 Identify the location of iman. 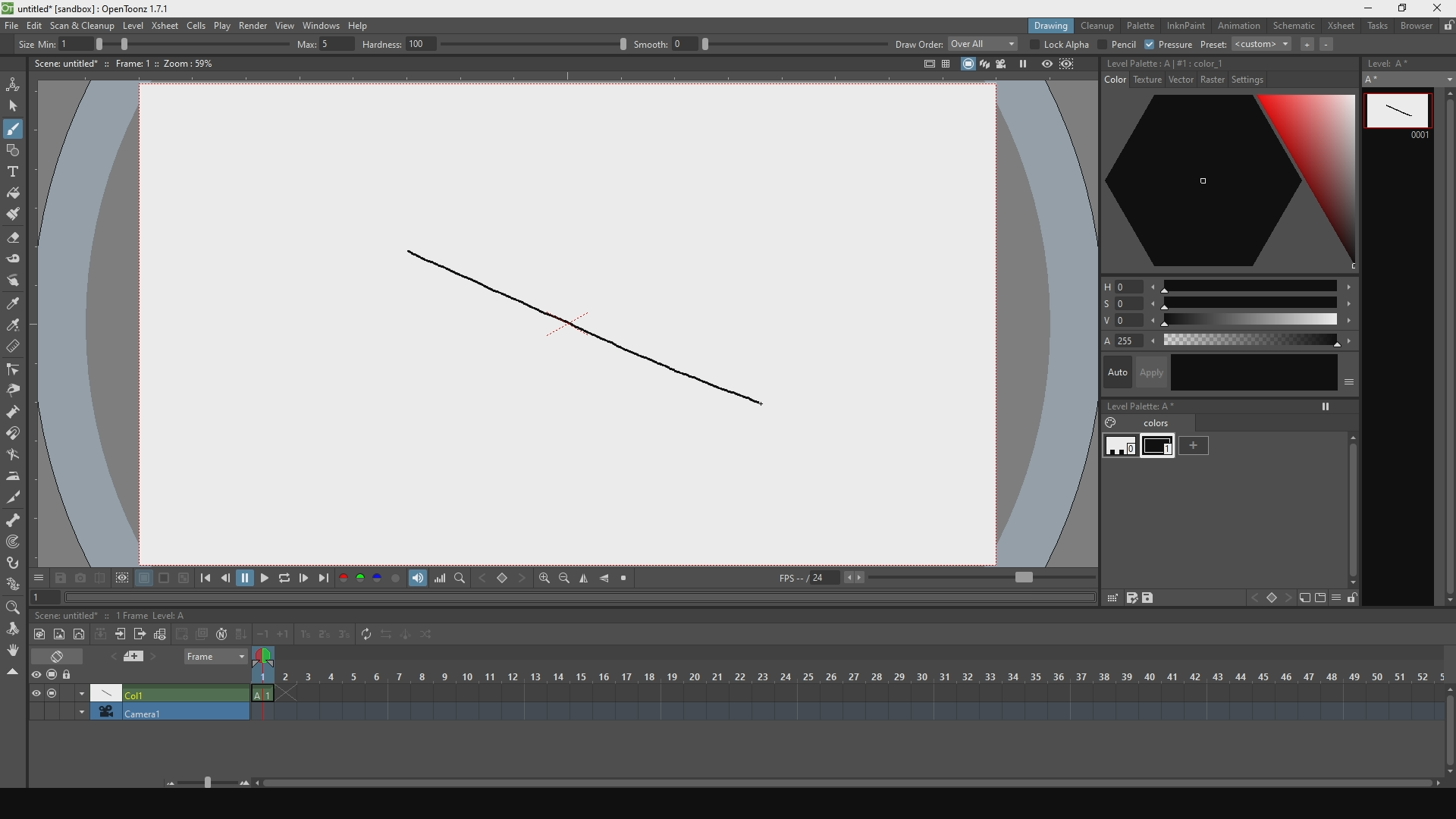
(17, 436).